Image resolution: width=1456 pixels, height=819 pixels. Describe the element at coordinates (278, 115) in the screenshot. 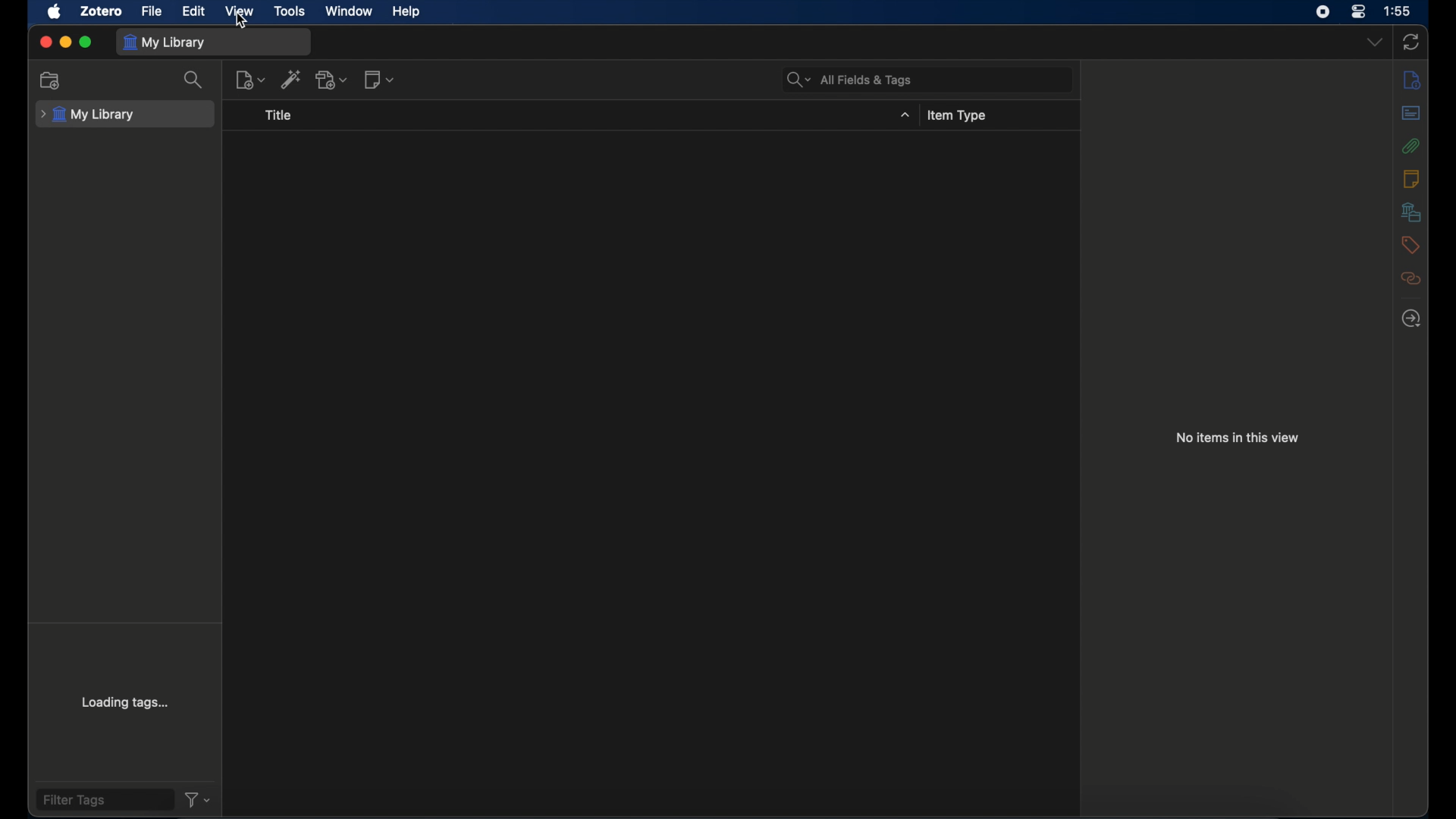

I see `title` at that location.